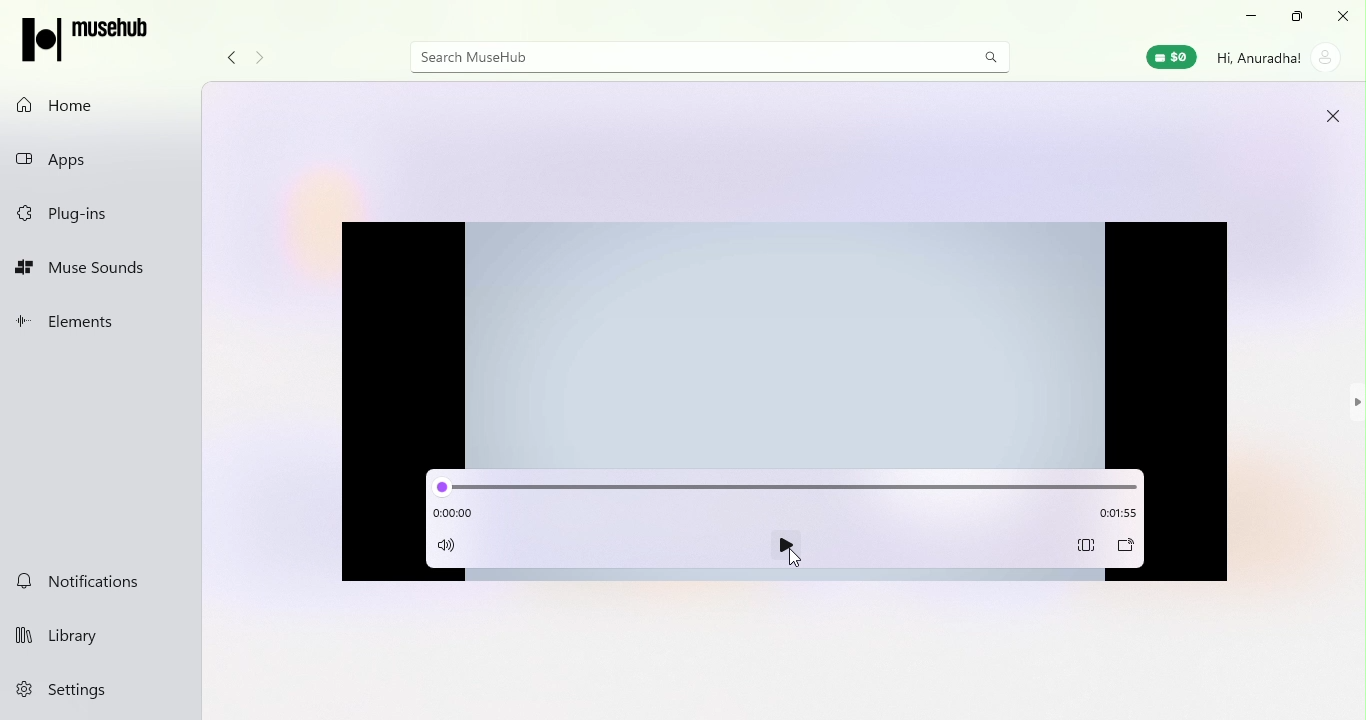  Describe the element at coordinates (790, 562) in the screenshot. I see `cursor` at that location.